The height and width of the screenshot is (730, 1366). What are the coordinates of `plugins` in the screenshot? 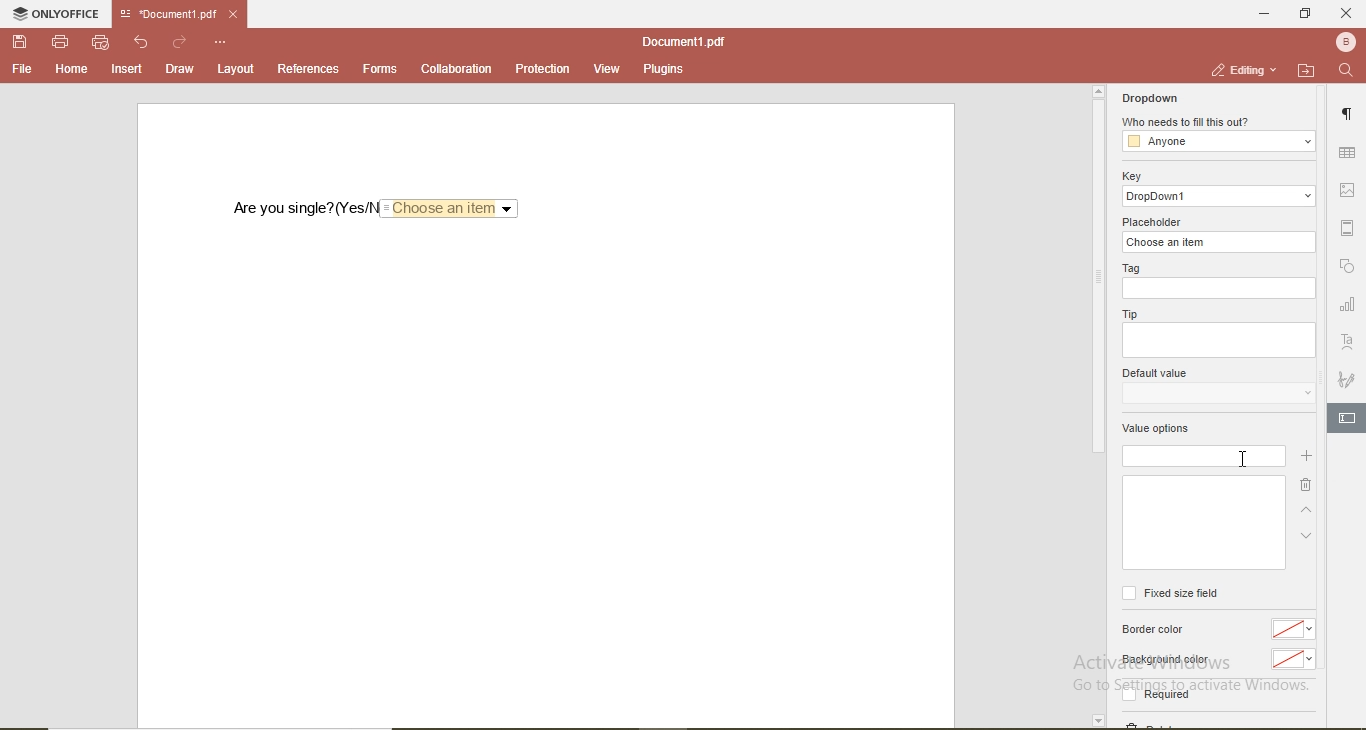 It's located at (660, 69).